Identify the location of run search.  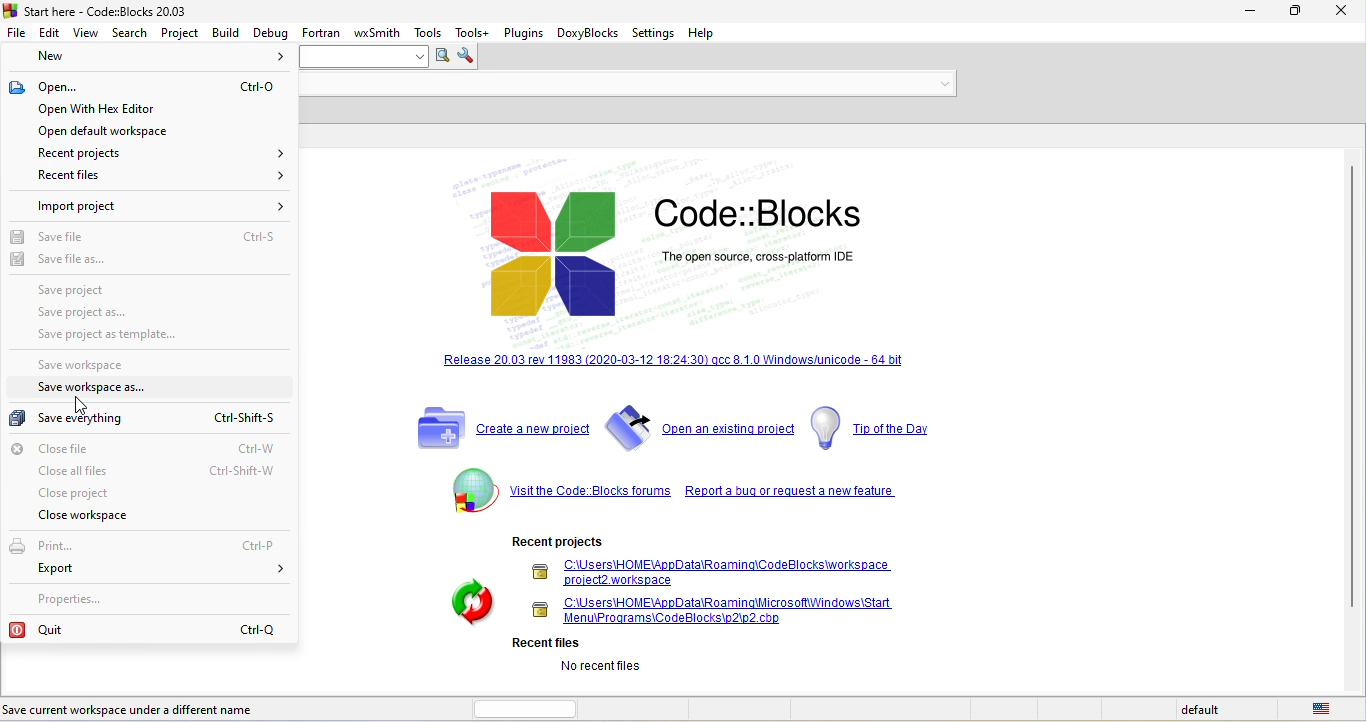
(441, 57).